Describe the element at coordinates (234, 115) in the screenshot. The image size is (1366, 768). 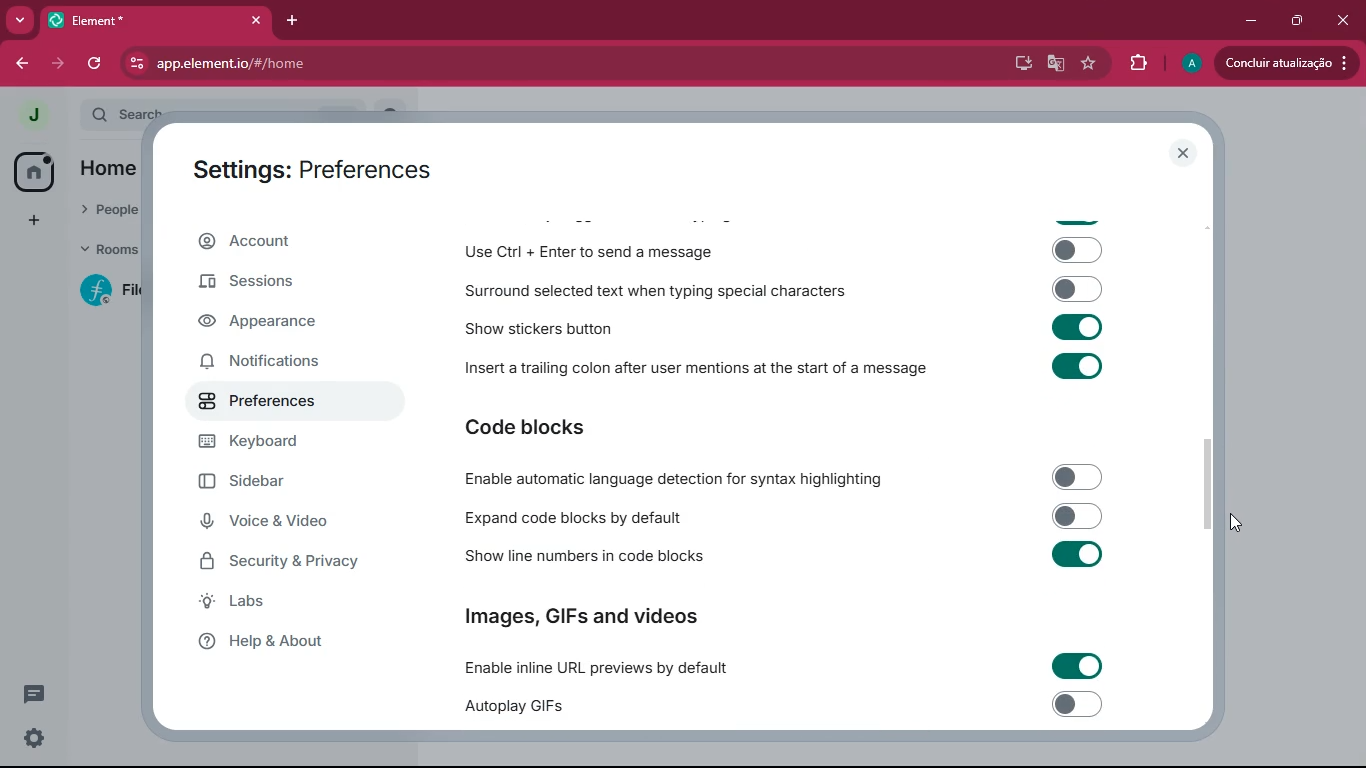
I see `search ctrl k` at that location.